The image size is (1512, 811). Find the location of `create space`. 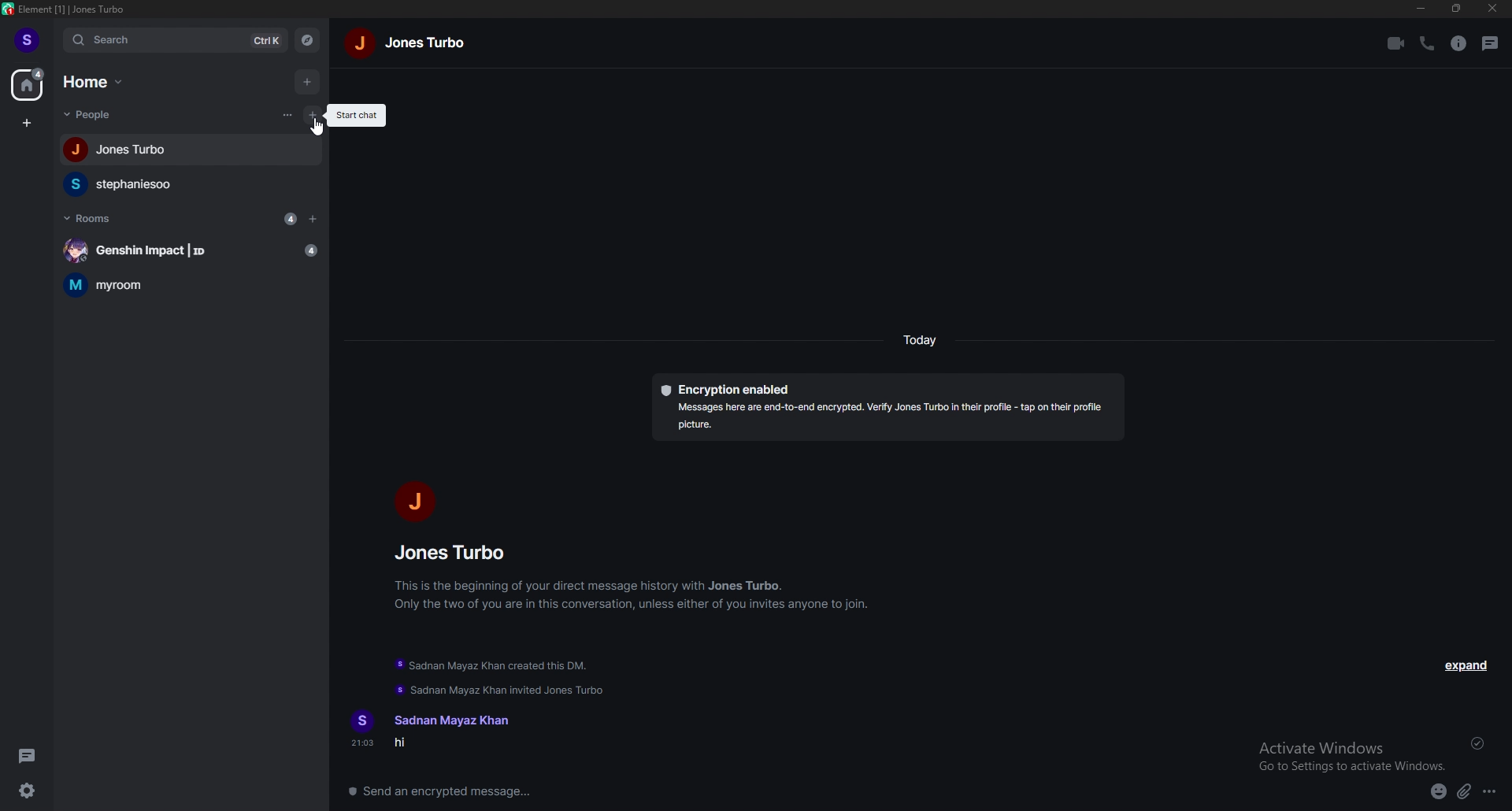

create space is located at coordinates (28, 124).